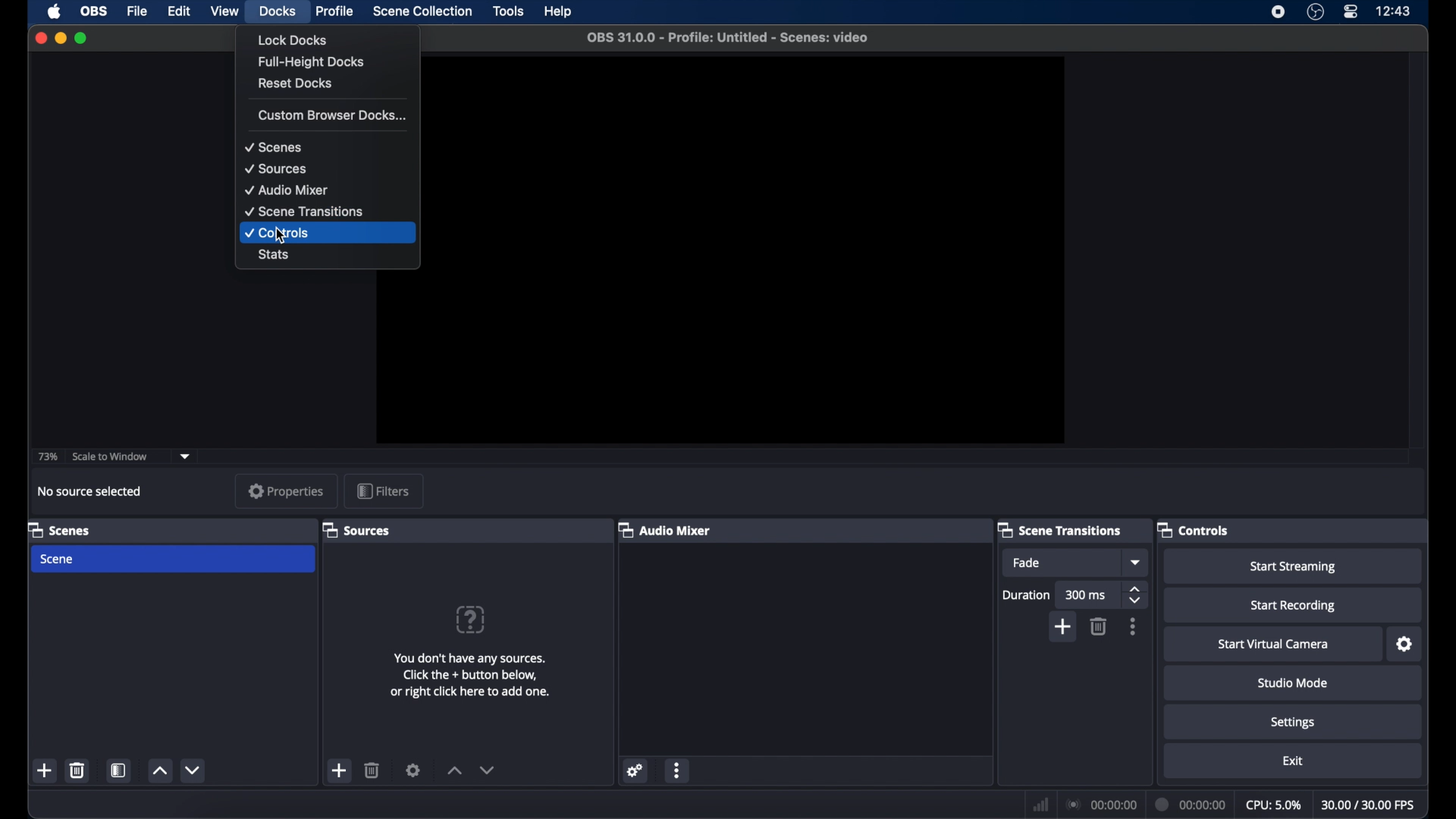  What do you see at coordinates (413, 770) in the screenshot?
I see `settings` at bounding box center [413, 770].